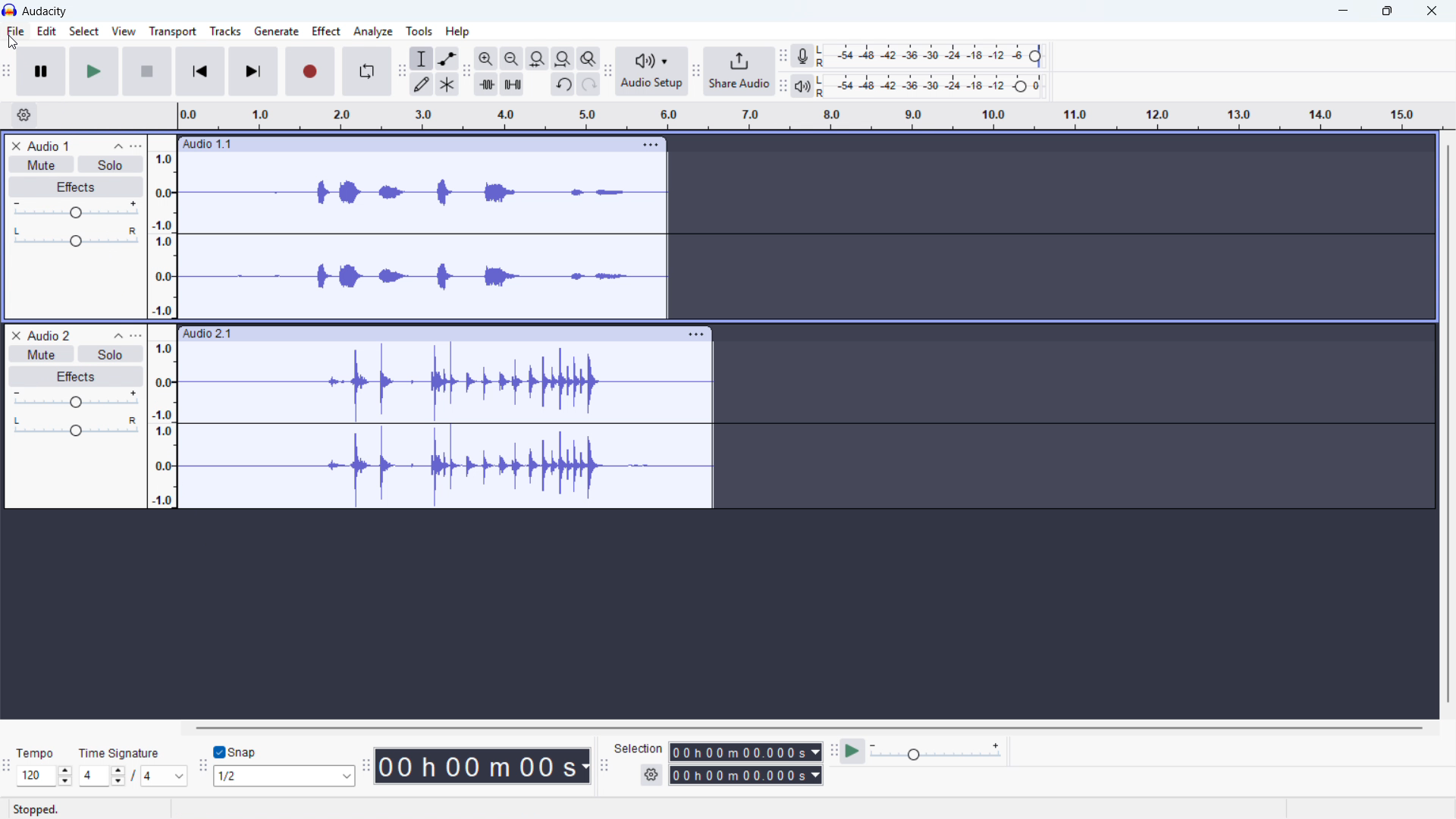 The width and height of the screenshot is (1456, 819). I want to click on edit , so click(46, 31).